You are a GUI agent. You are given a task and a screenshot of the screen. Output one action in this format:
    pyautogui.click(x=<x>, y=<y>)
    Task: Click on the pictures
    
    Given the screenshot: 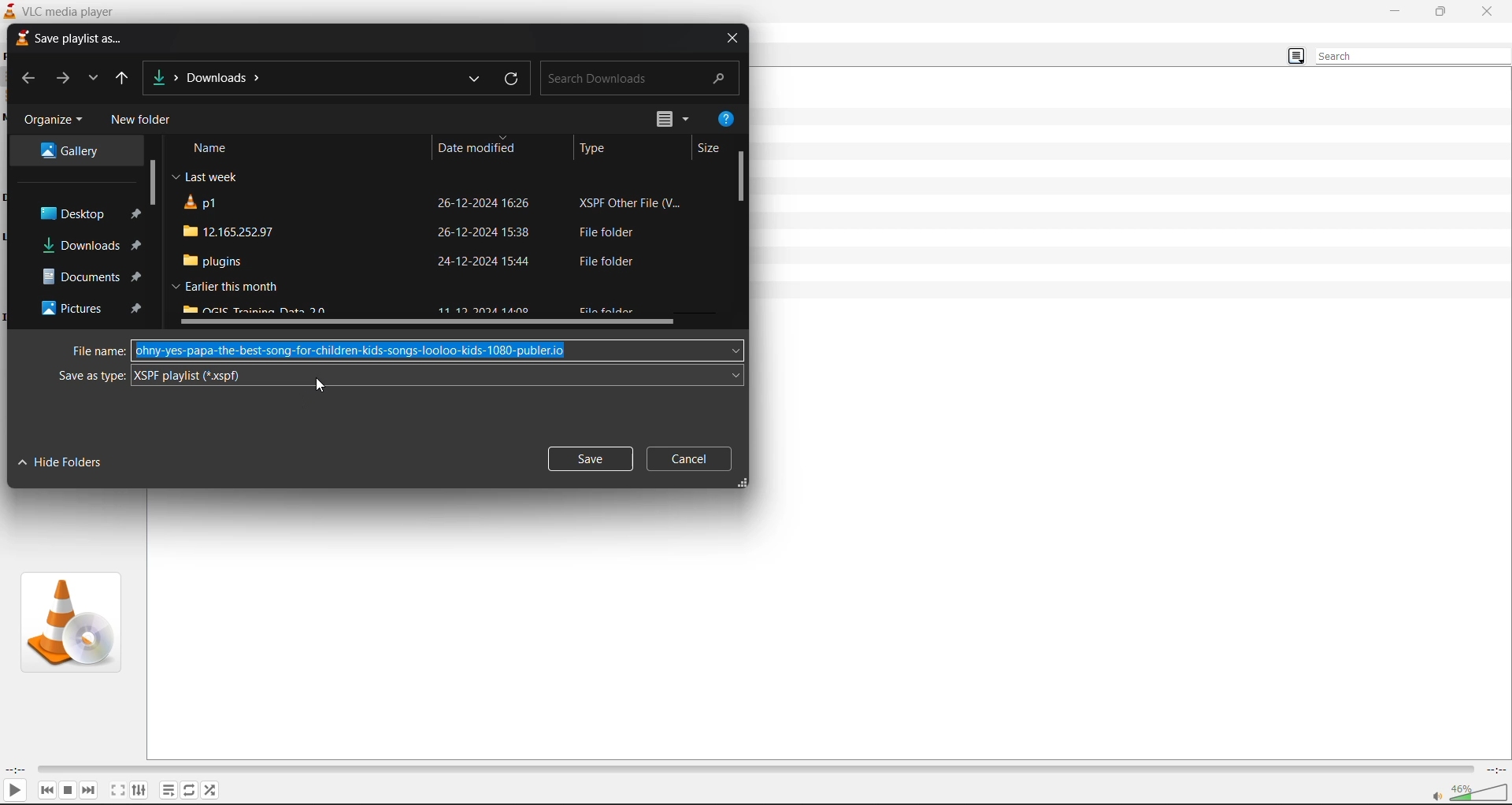 What is the action you would take?
    pyautogui.click(x=92, y=312)
    